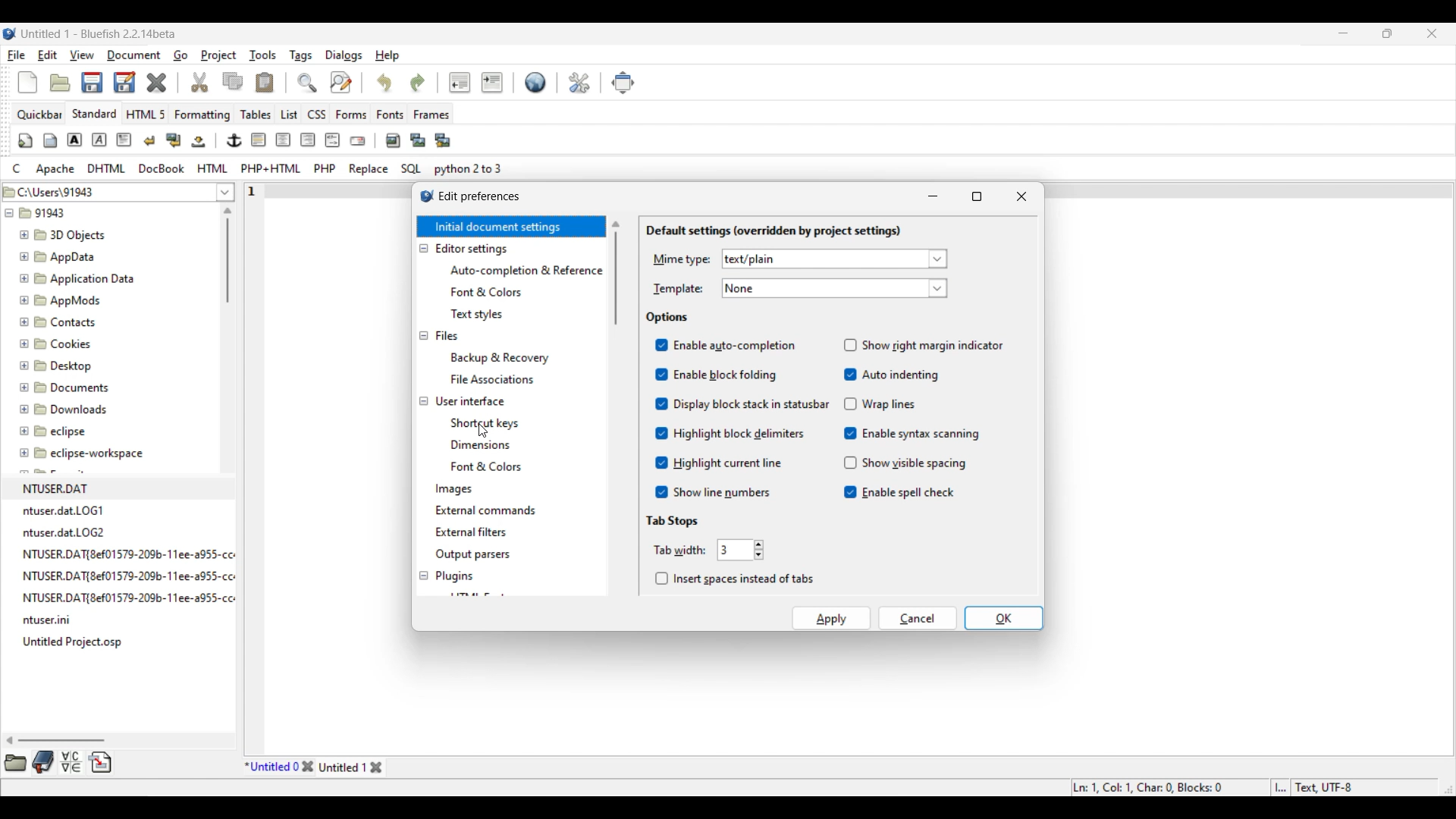 The width and height of the screenshot is (1456, 819). Describe the element at coordinates (10, 33) in the screenshot. I see `Software logo` at that location.